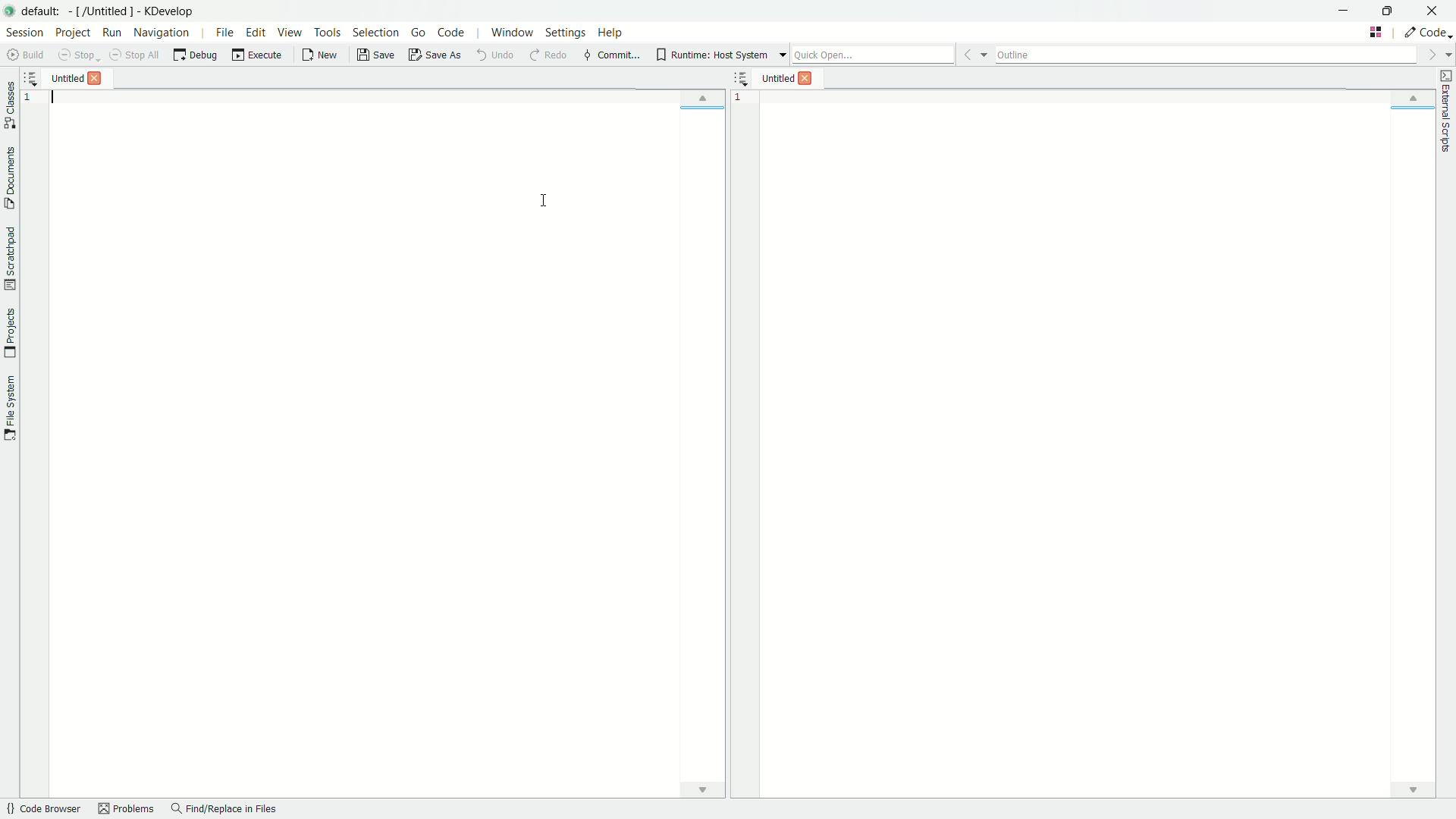 The image size is (1456, 819). Describe the element at coordinates (419, 35) in the screenshot. I see `go menu` at that location.